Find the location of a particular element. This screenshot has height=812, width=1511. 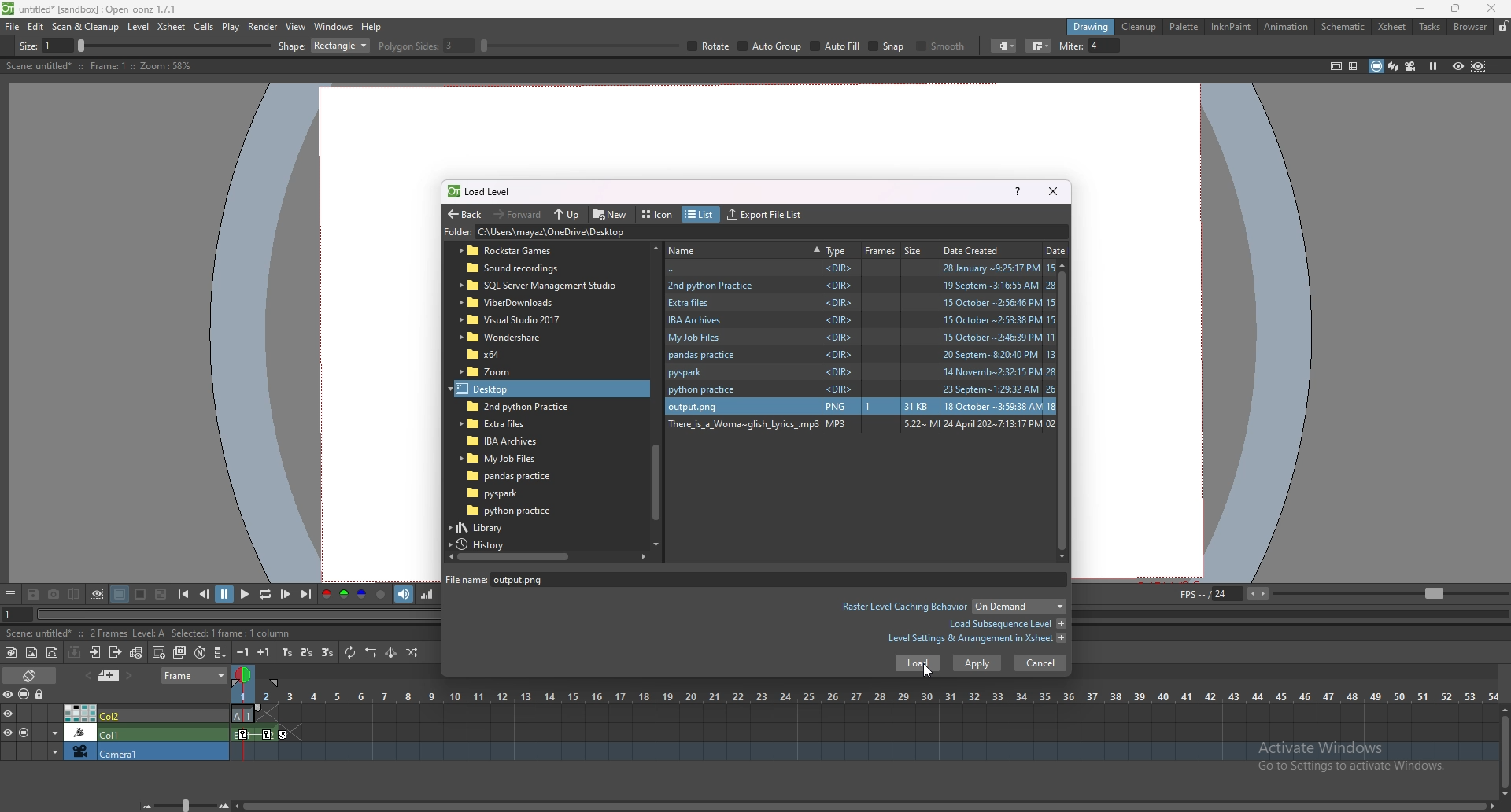

schematic is located at coordinates (1343, 25).